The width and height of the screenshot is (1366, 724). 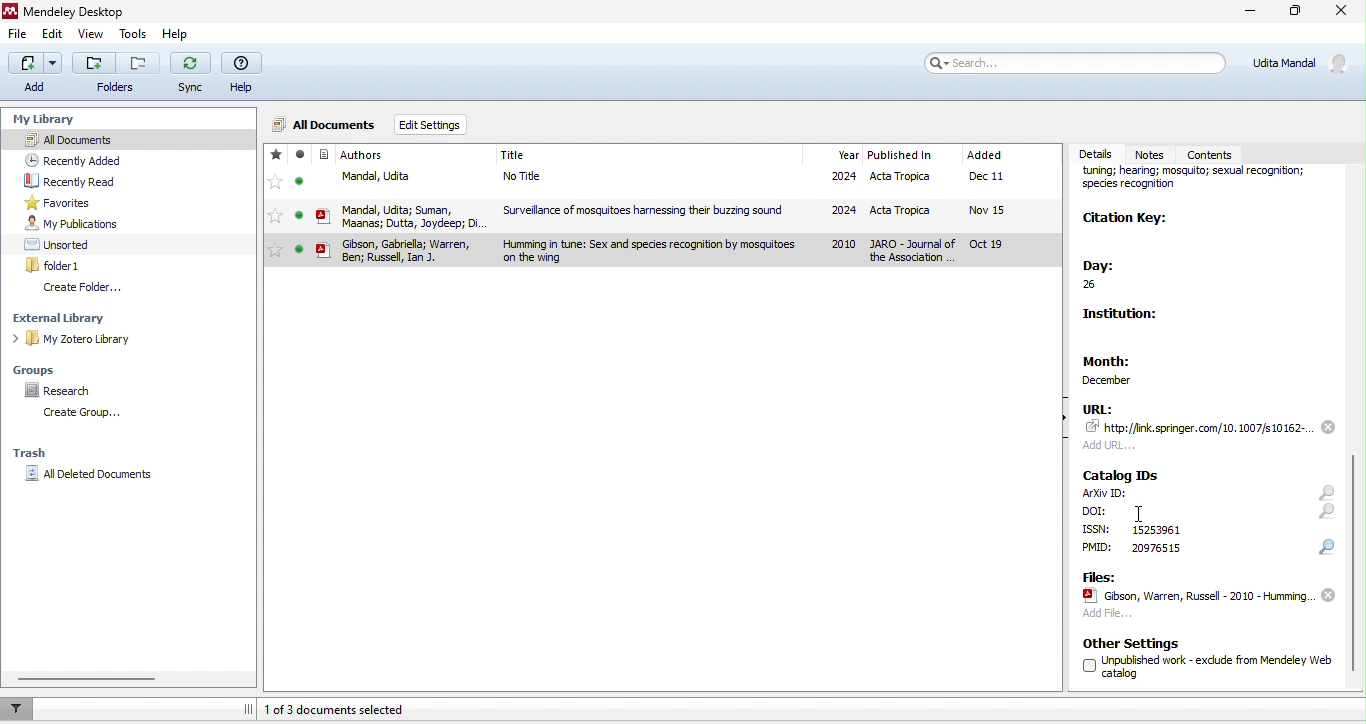 What do you see at coordinates (94, 475) in the screenshot?
I see `all deleted documents` at bounding box center [94, 475].